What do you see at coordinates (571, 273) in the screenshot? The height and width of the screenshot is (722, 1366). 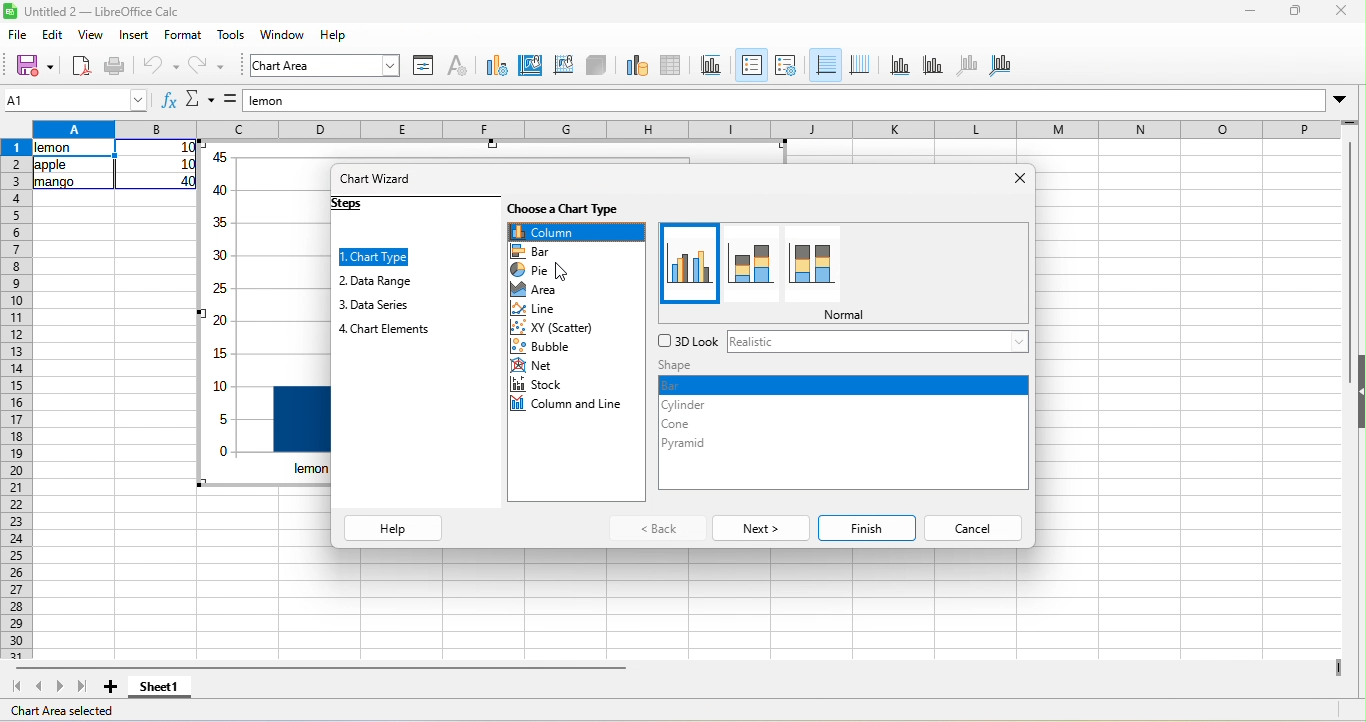 I see `cursor movement` at bounding box center [571, 273].